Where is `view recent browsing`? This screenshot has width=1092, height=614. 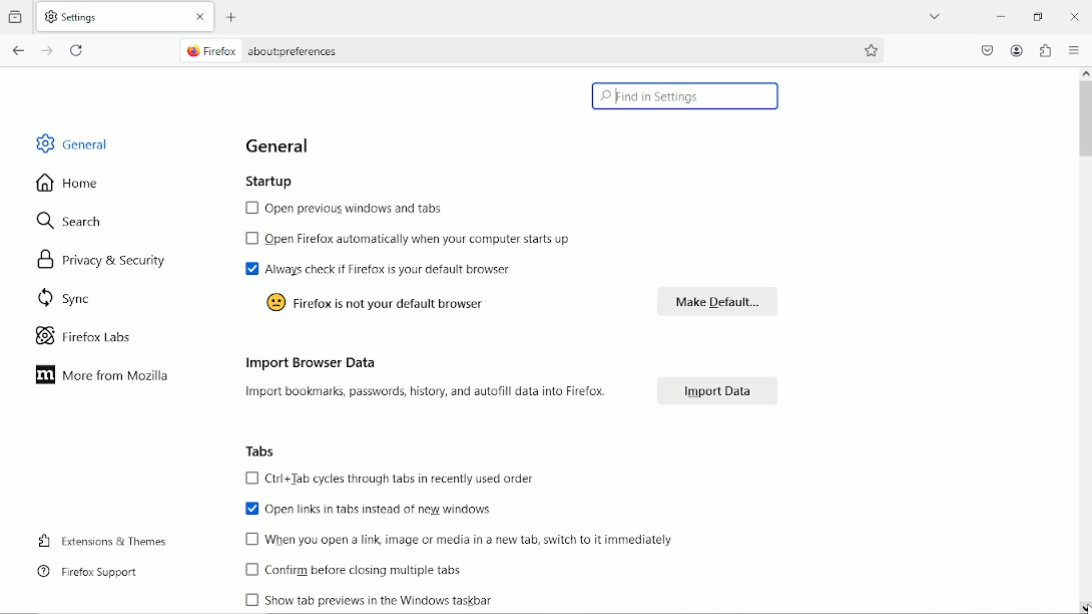
view recent browsing is located at coordinates (17, 18).